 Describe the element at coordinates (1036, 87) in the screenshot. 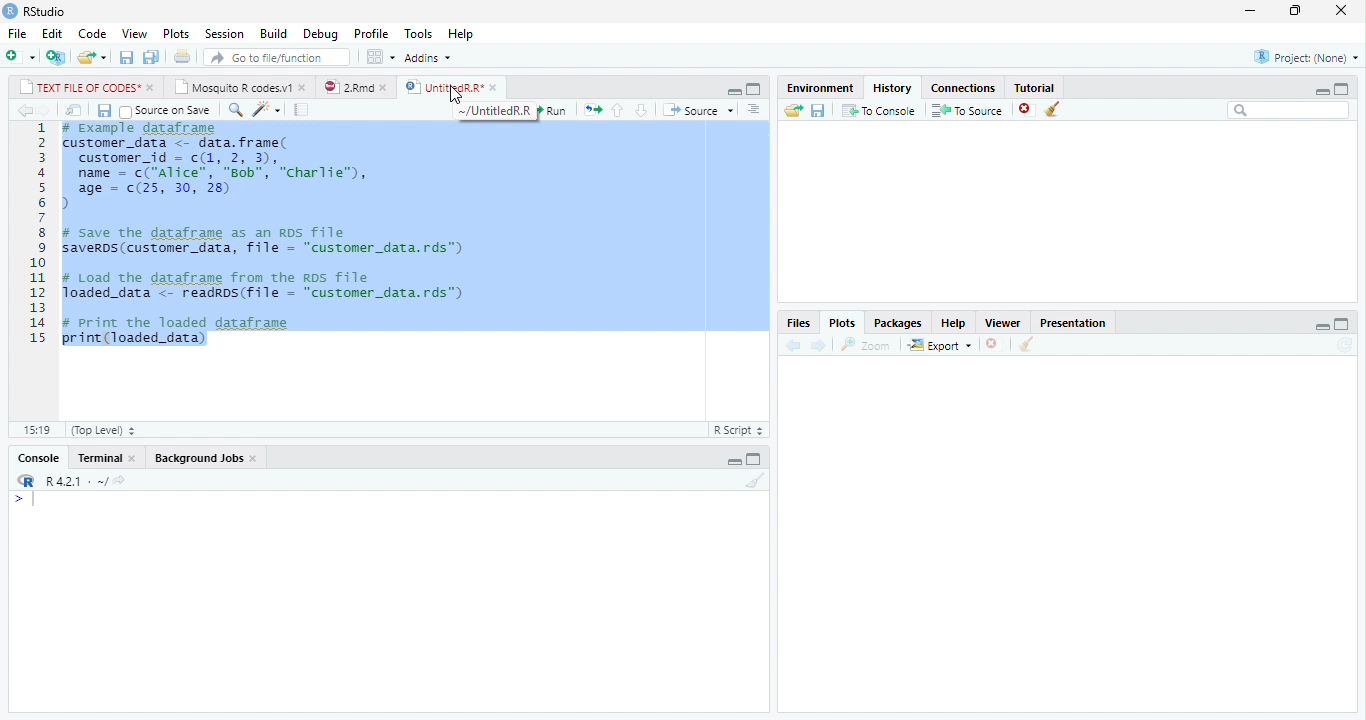

I see `Tutorial` at that location.